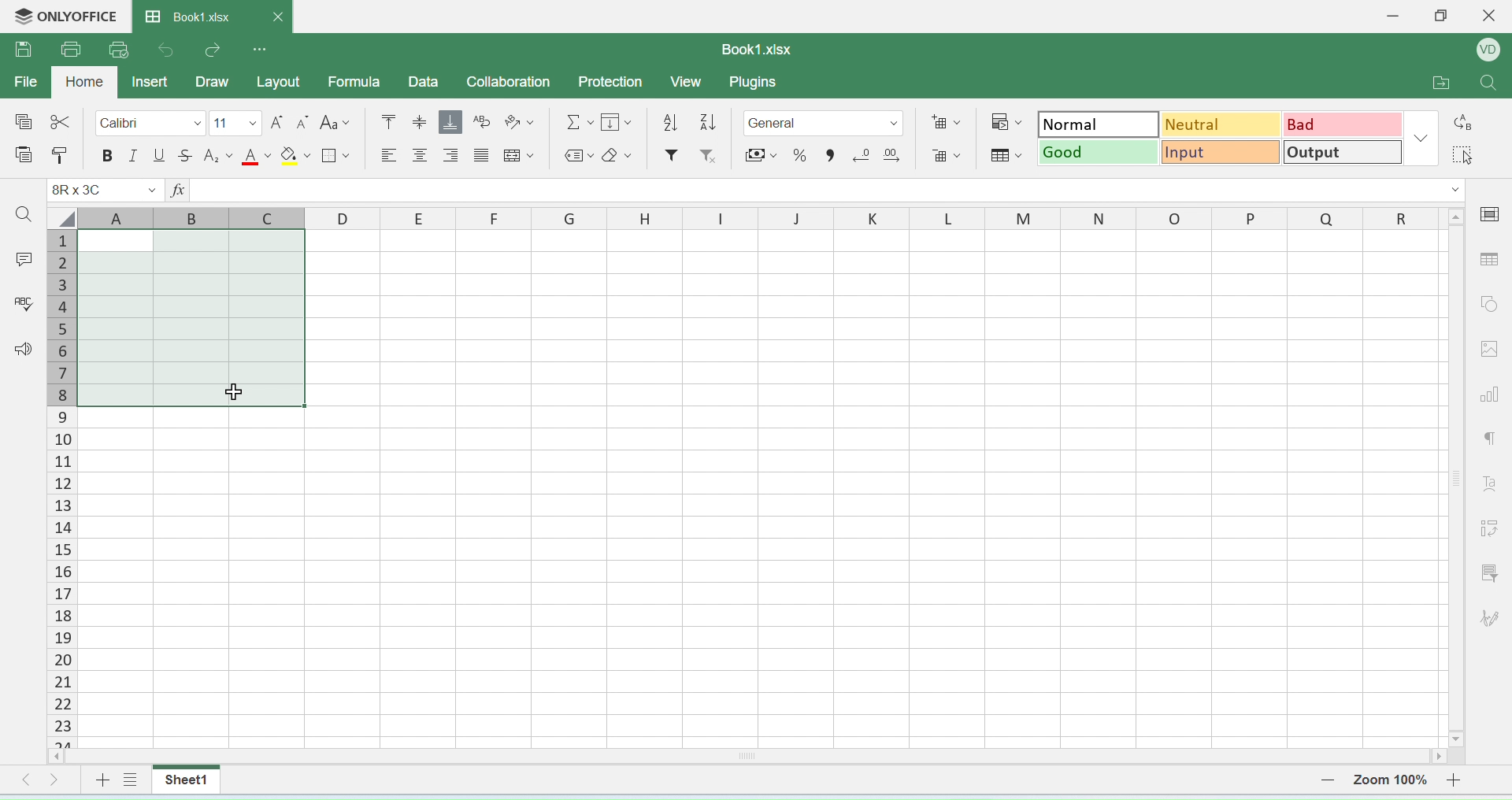  Describe the element at coordinates (1492, 621) in the screenshot. I see `signature` at that location.